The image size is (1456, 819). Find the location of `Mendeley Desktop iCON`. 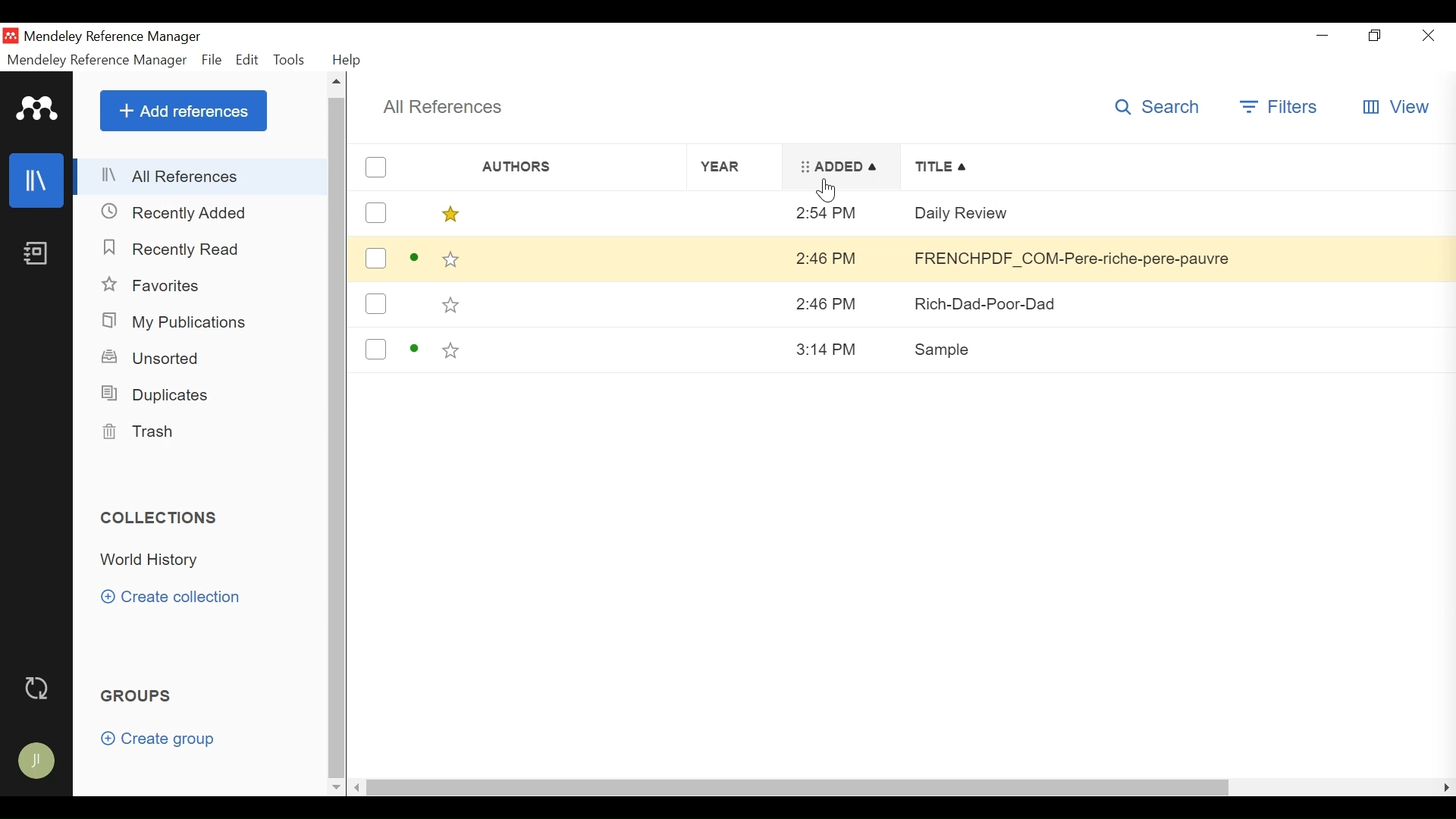

Mendeley Desktop iCON is located at coordinates (11, 35).